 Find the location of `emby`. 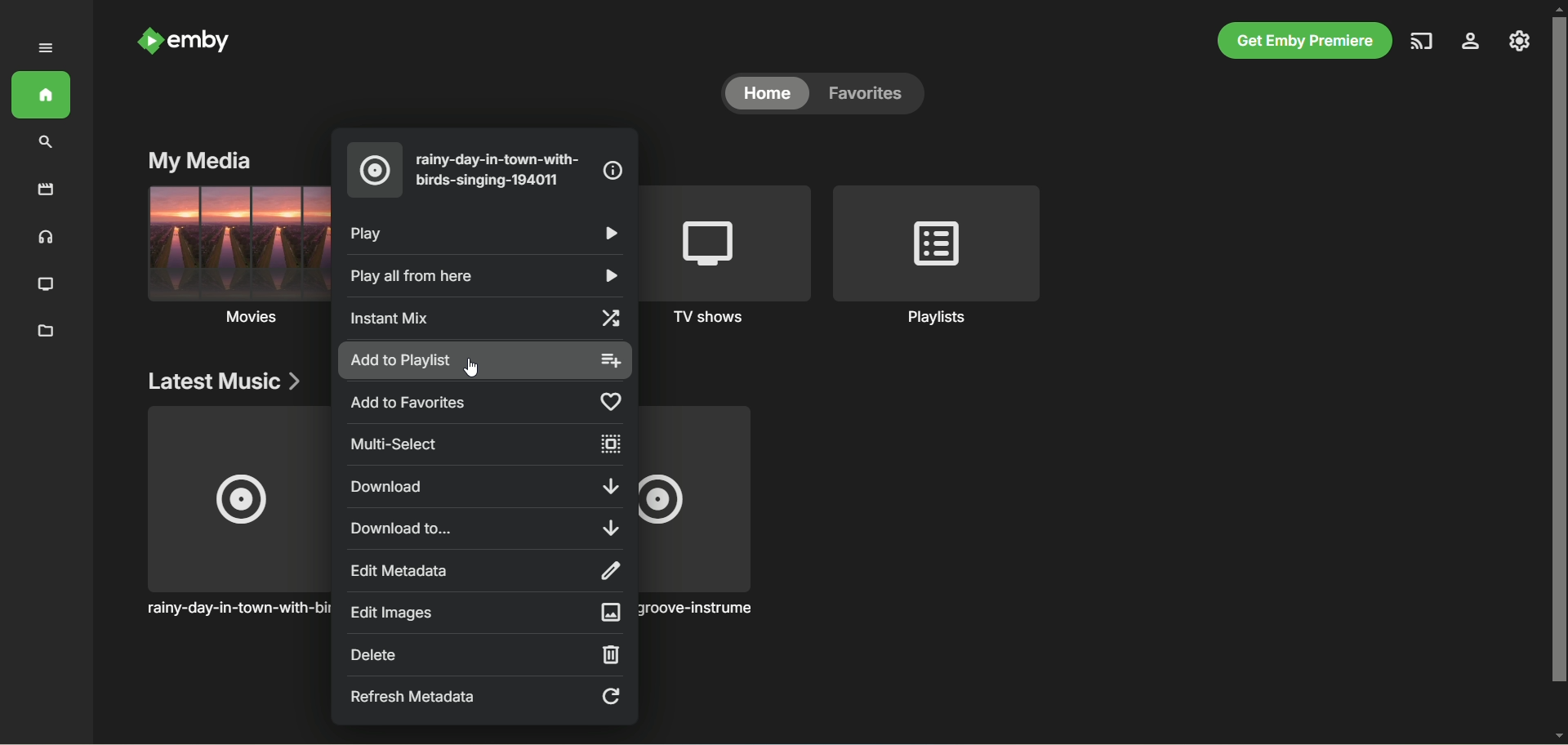

emby is located at coordinates (199, 41).